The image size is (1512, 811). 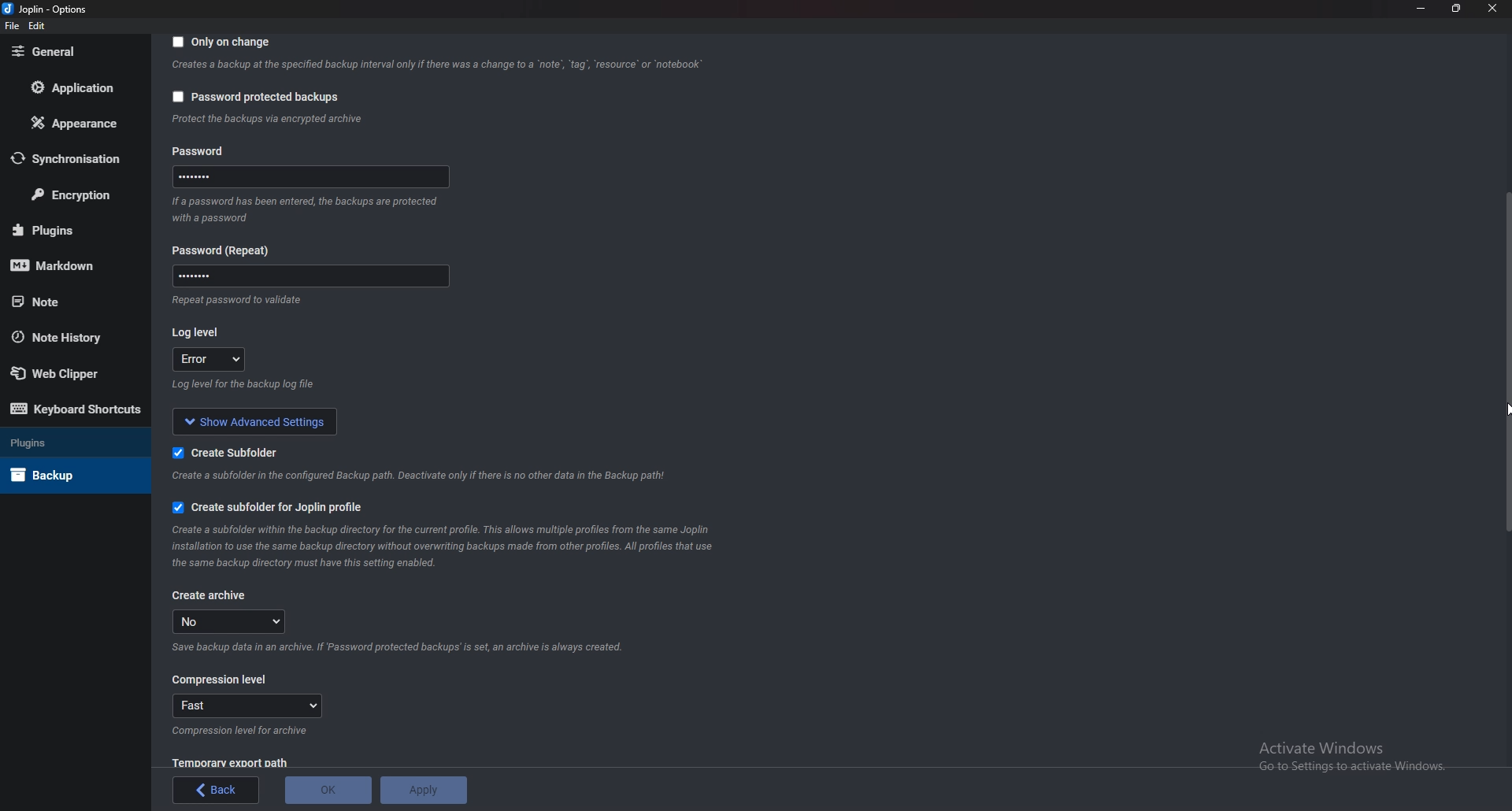 I want to click on file, so click(x=11, y=27).